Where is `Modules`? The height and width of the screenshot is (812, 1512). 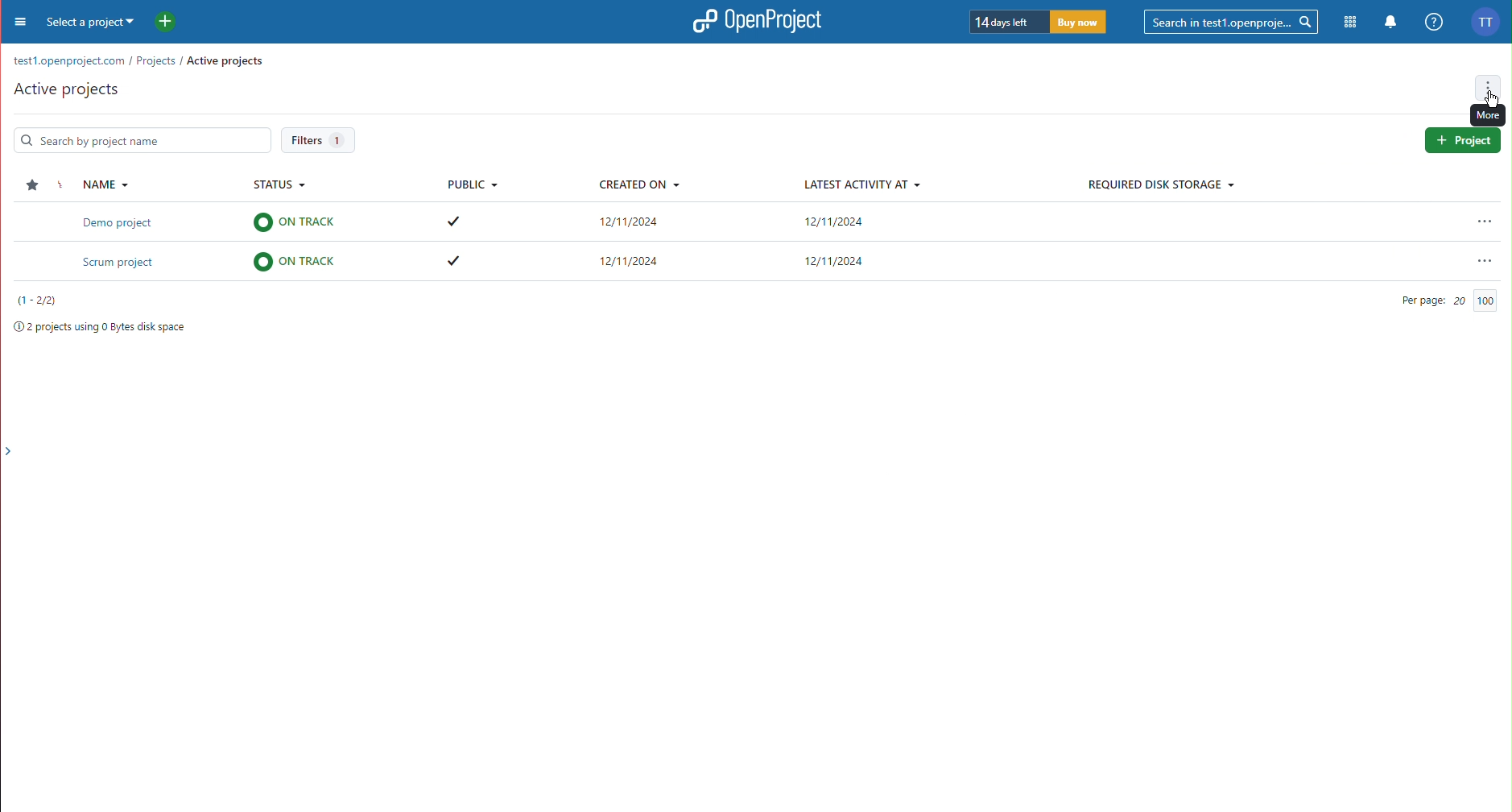 Modules is located at coordinates (1349, 21).